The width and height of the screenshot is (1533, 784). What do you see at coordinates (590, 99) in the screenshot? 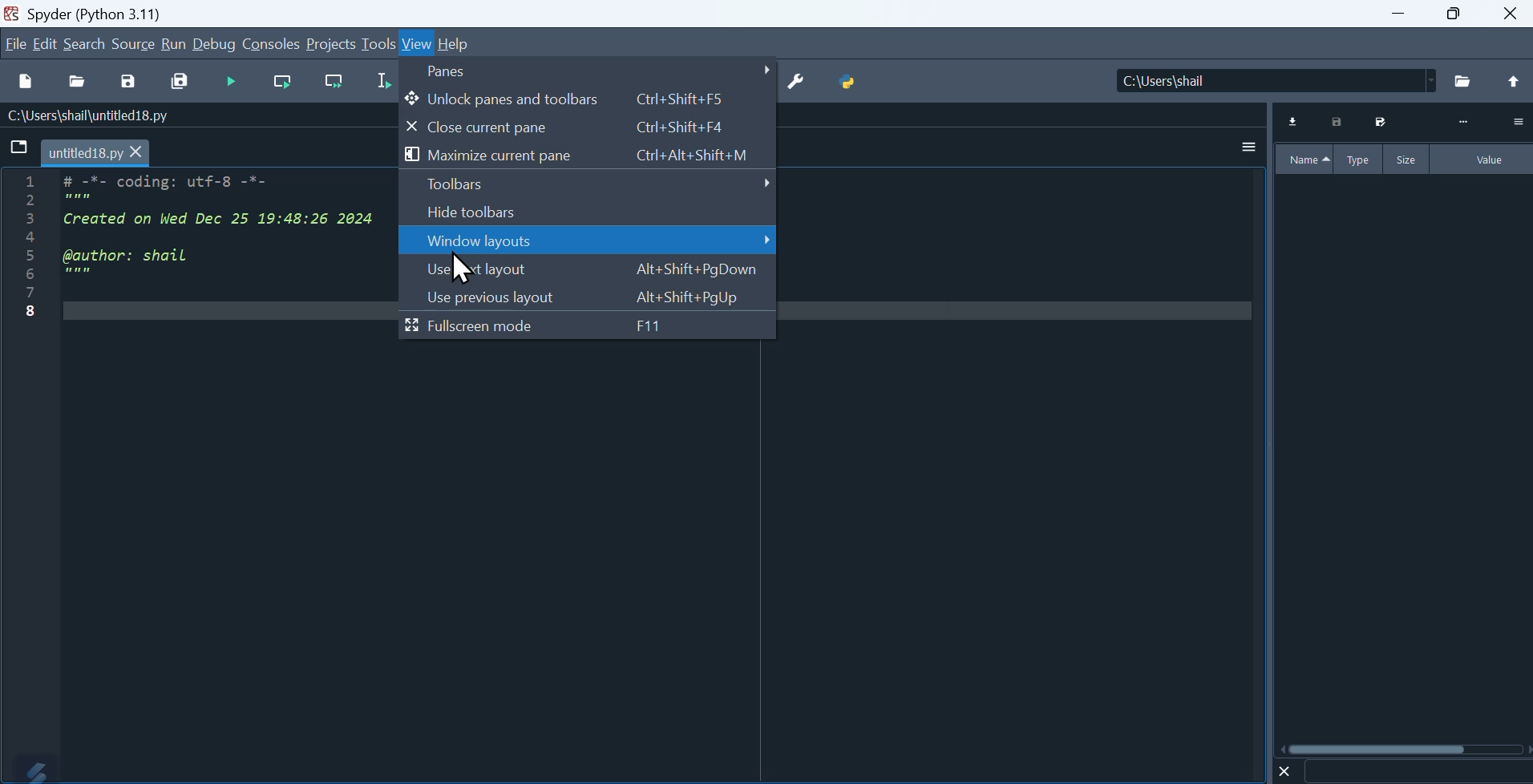
I see `Unlock toolbars` at bounding box center [590, 99].